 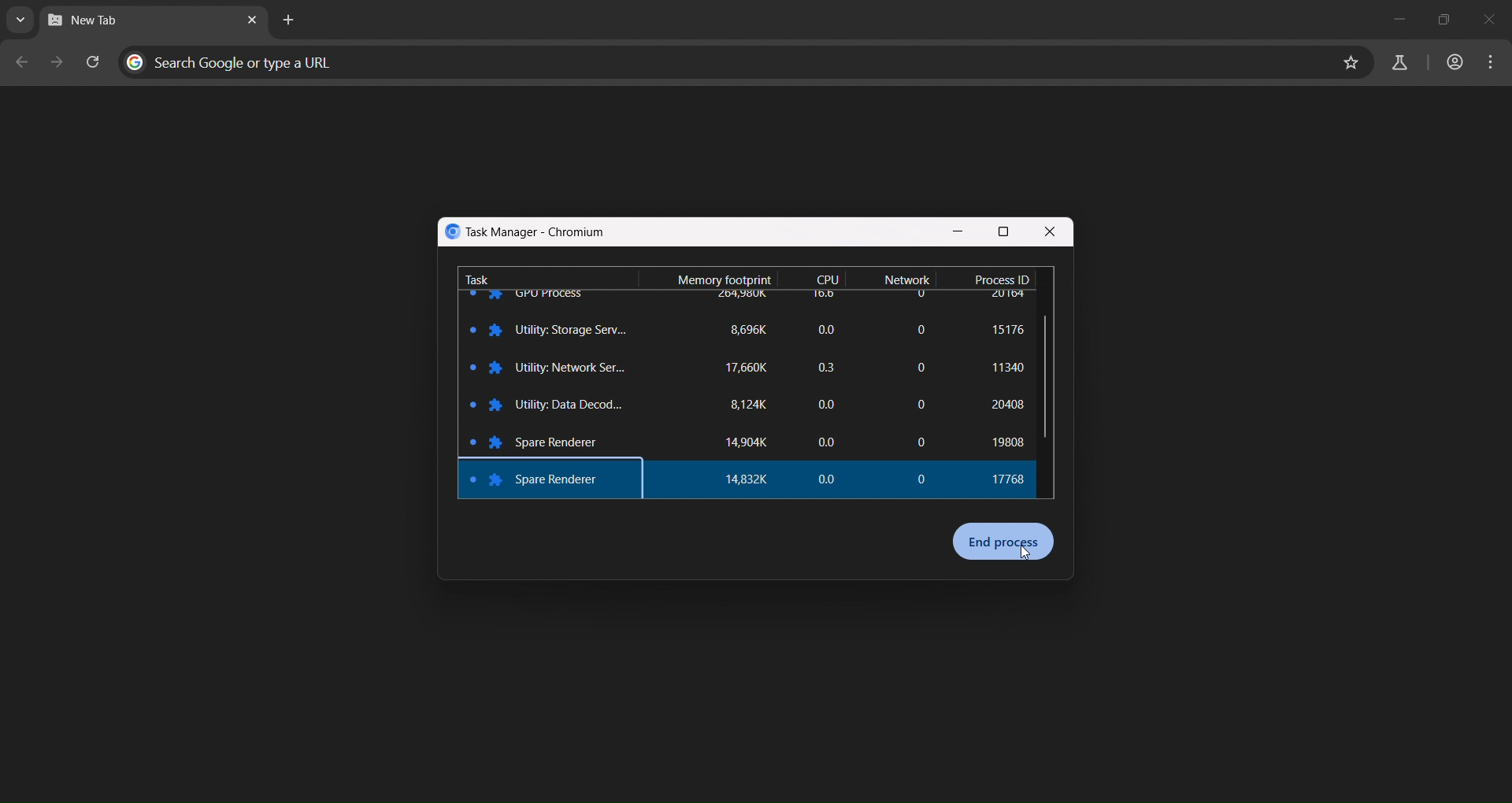 I want to click on close tab, so click(x=253, y=21).